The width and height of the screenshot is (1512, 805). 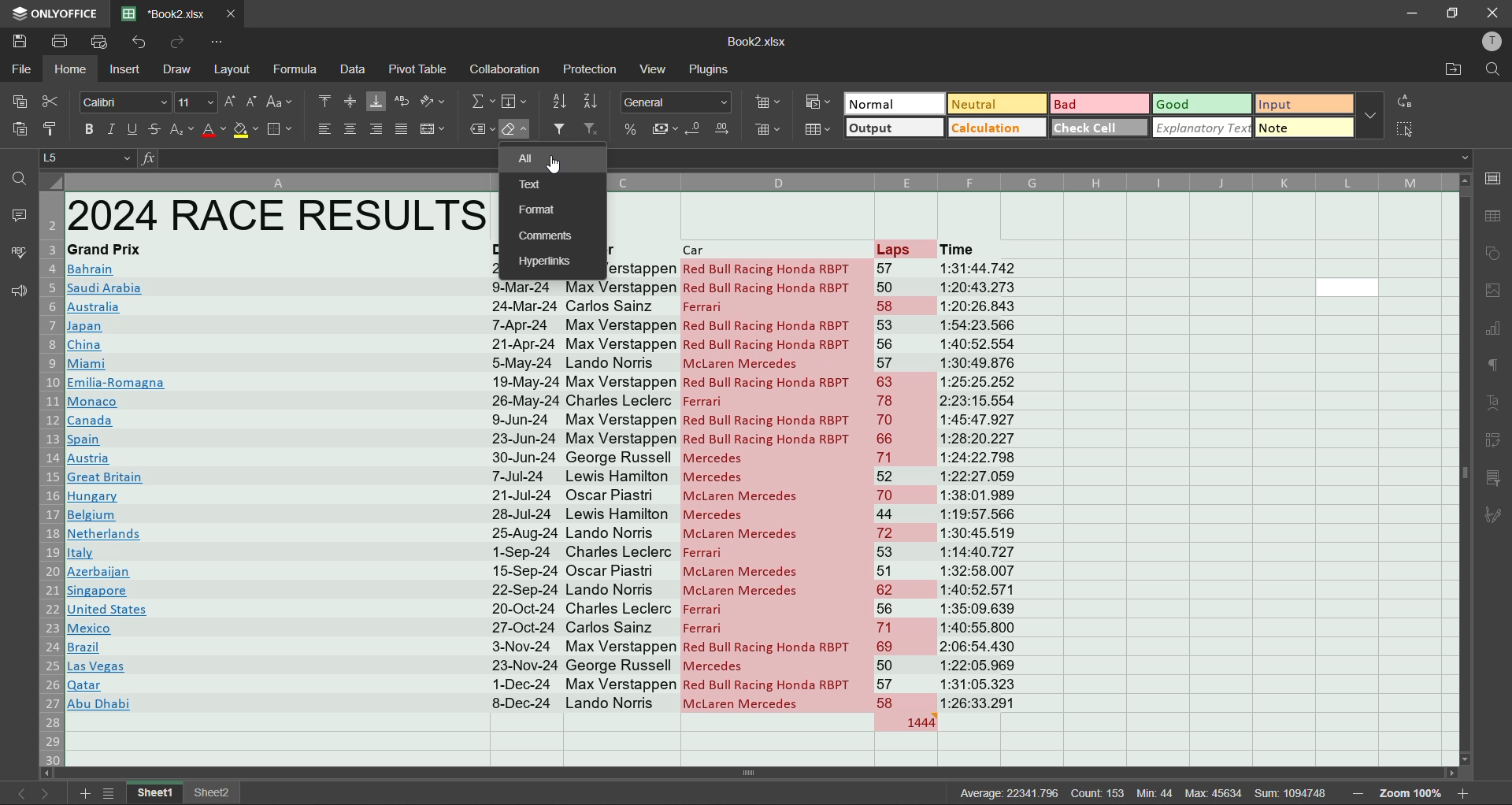 I want to click on Data, so click(x=757, y=499).